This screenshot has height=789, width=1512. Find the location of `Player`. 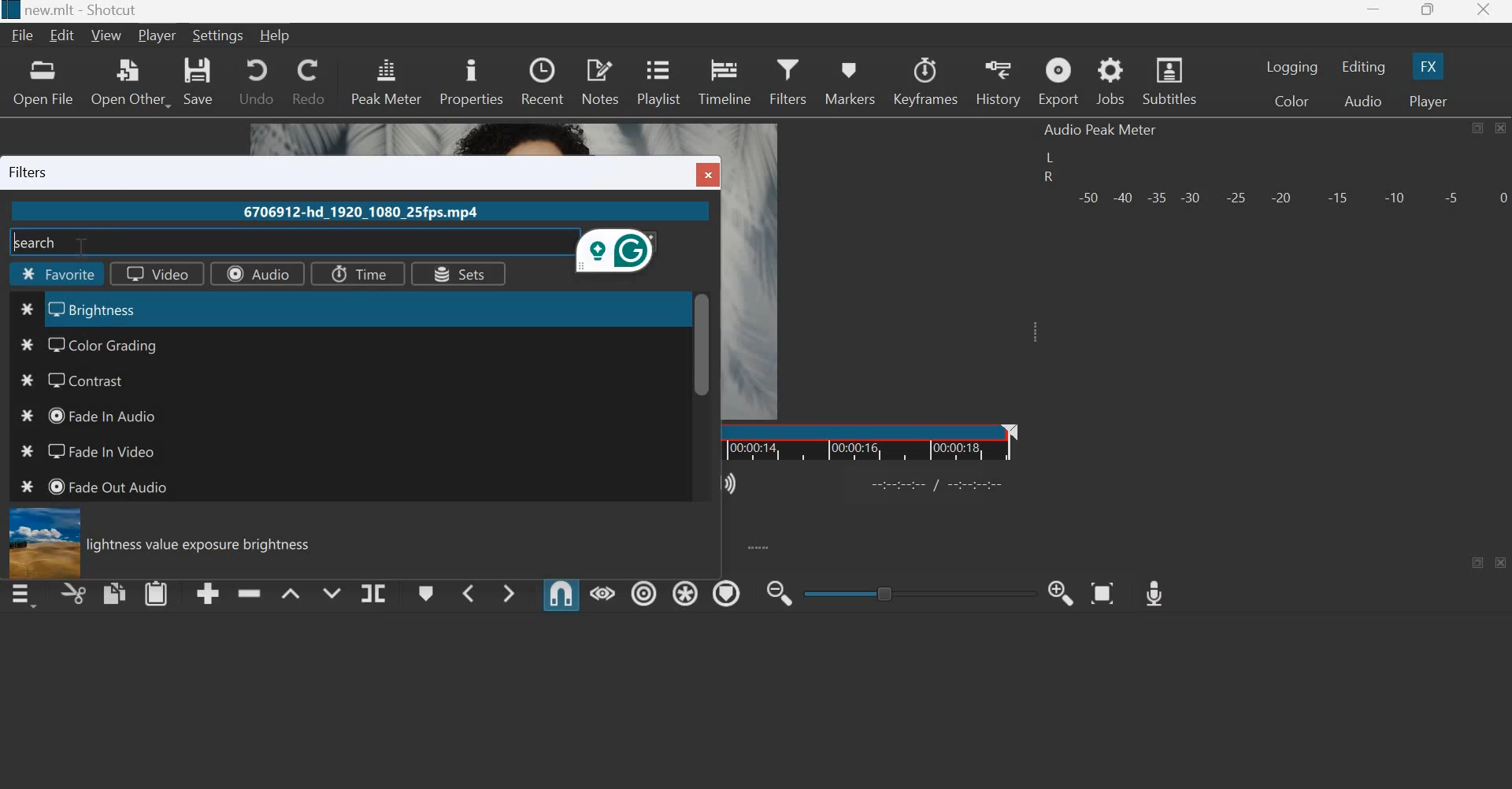

Player is located at coordinates (1426, 101).